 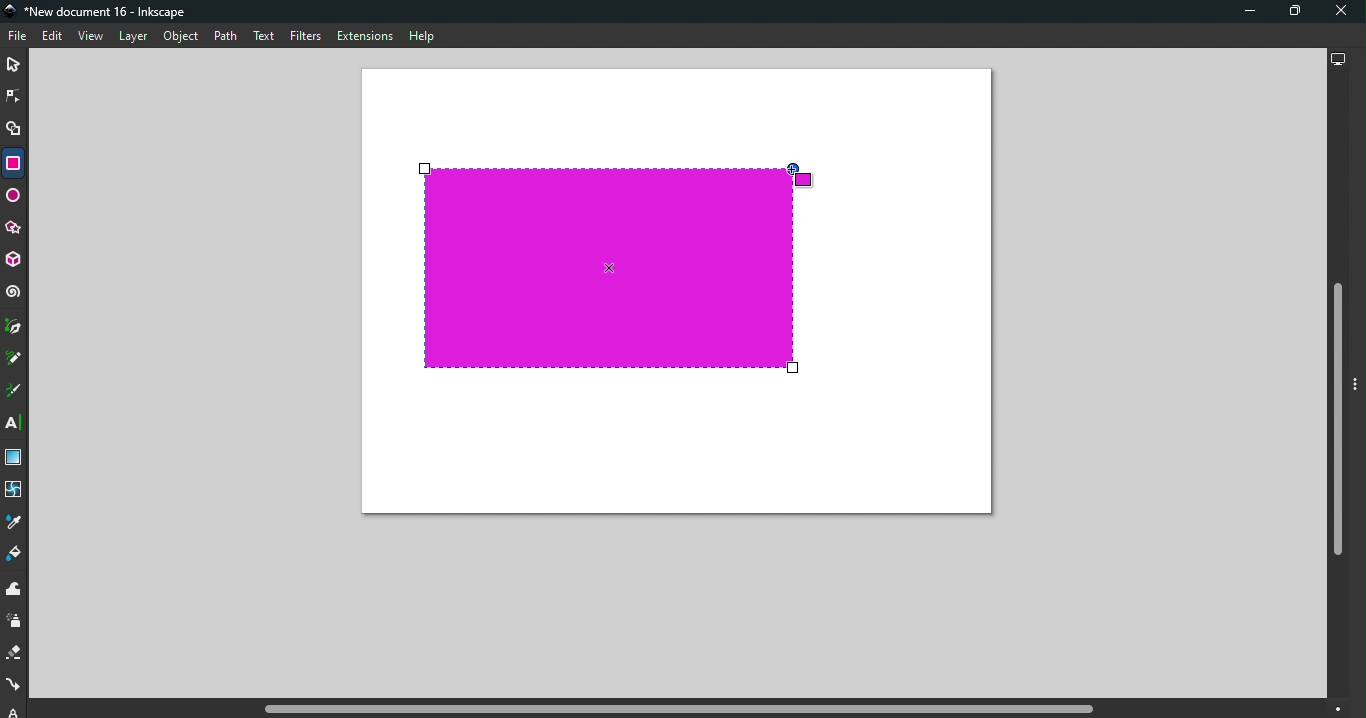 I want to click on Ellipse/Arc tool, so click(x=14, y=198).